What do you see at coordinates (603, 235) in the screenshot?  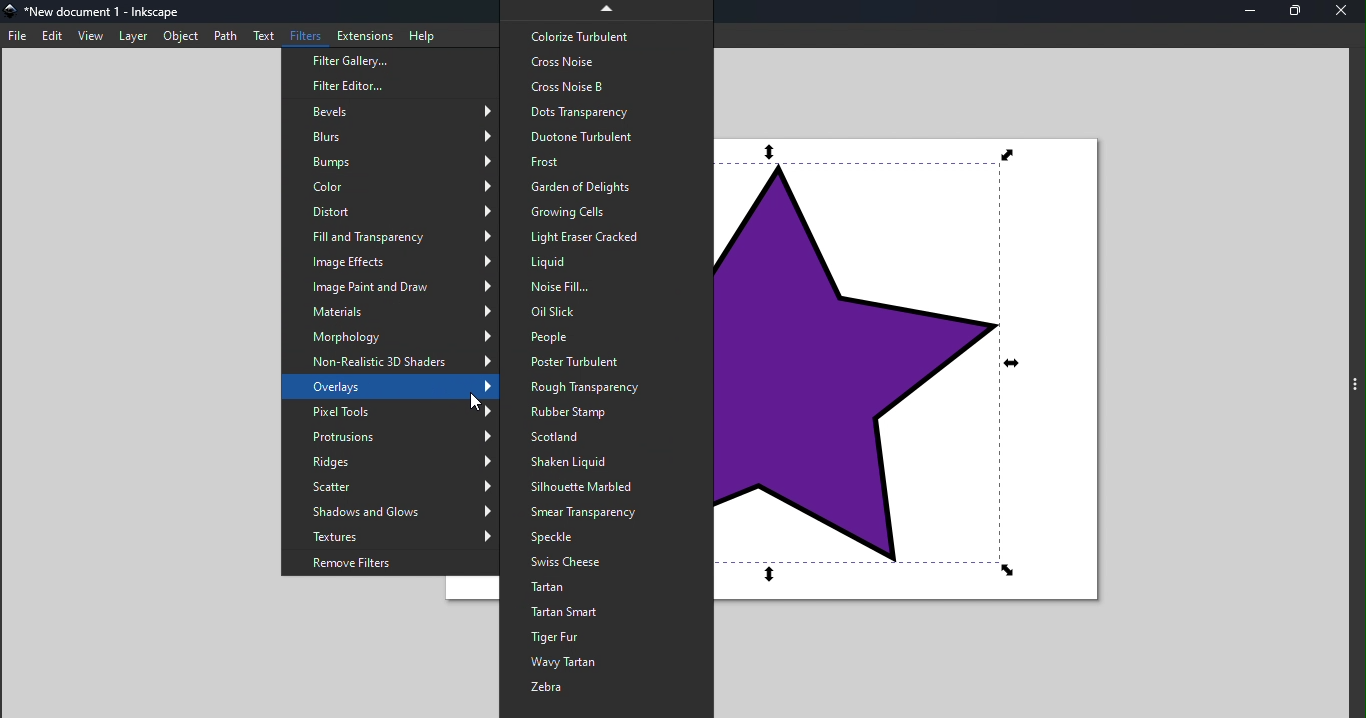 I see `Light eraser cracked` at bounding box center [603, 235].